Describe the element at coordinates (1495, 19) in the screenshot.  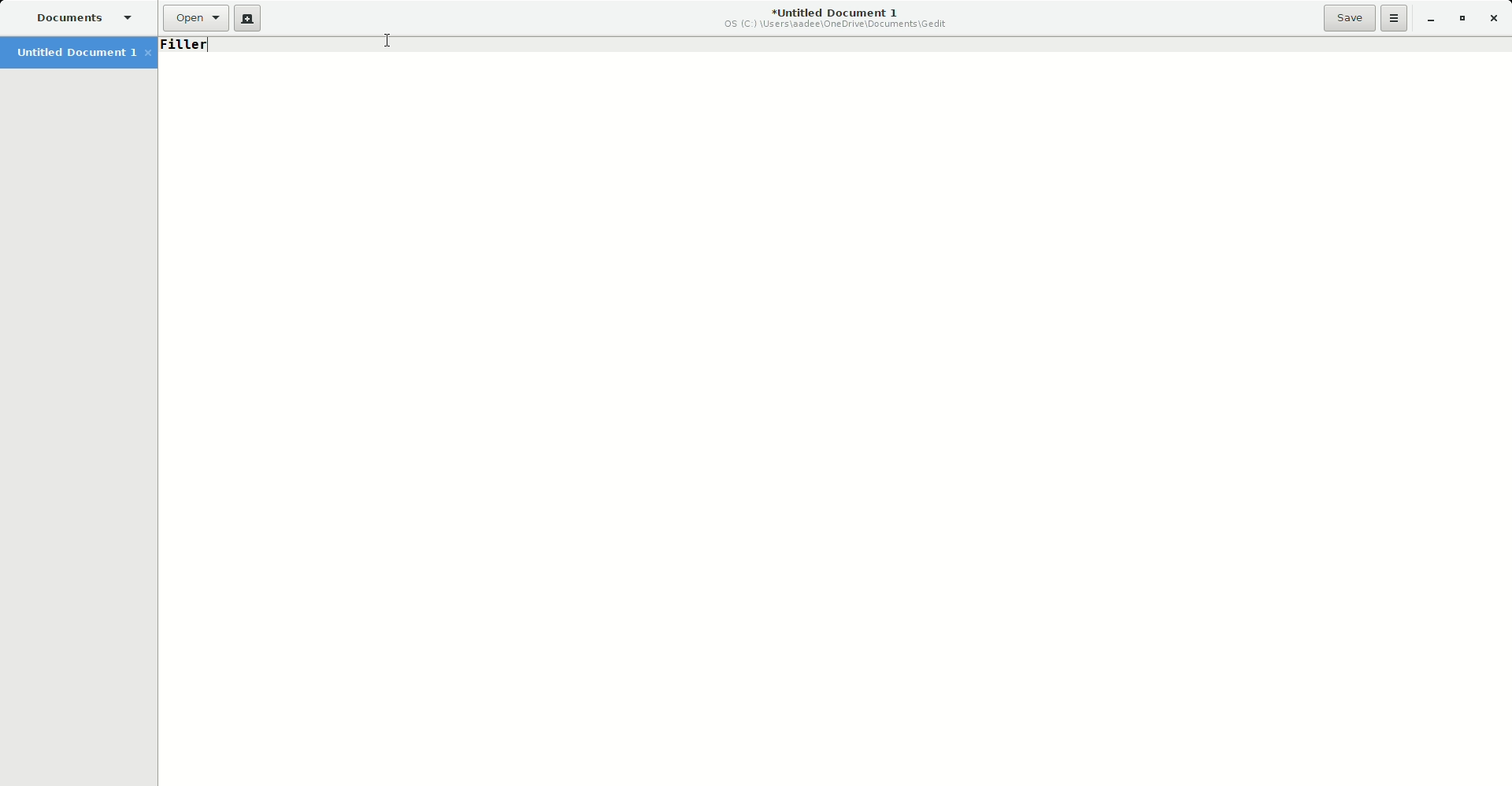
I see `Close` at that location.